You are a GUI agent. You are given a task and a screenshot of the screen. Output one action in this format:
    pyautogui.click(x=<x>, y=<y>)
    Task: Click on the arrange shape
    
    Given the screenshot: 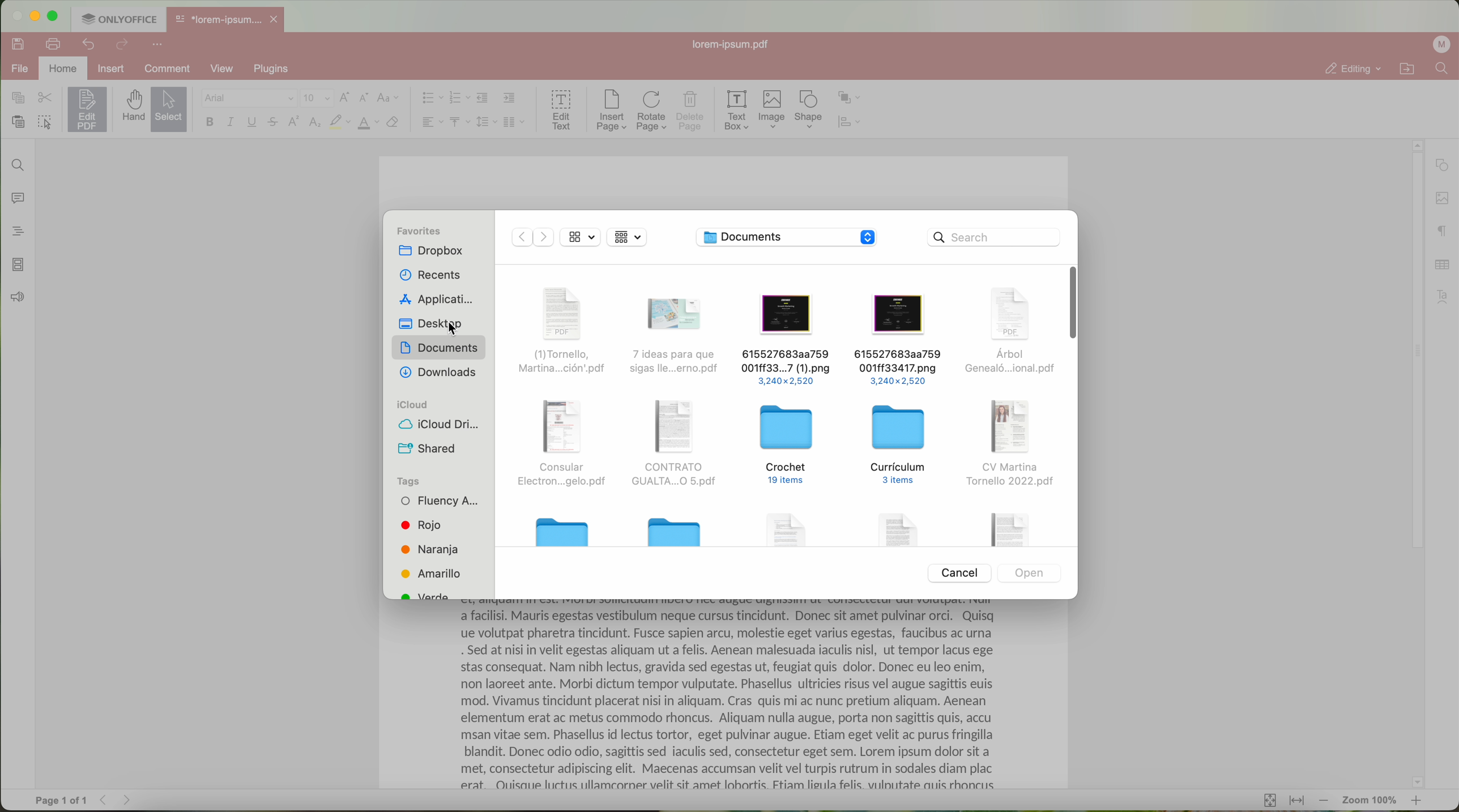 What is the action you would take?
    pyautogui.click(x=850, y=98)
    